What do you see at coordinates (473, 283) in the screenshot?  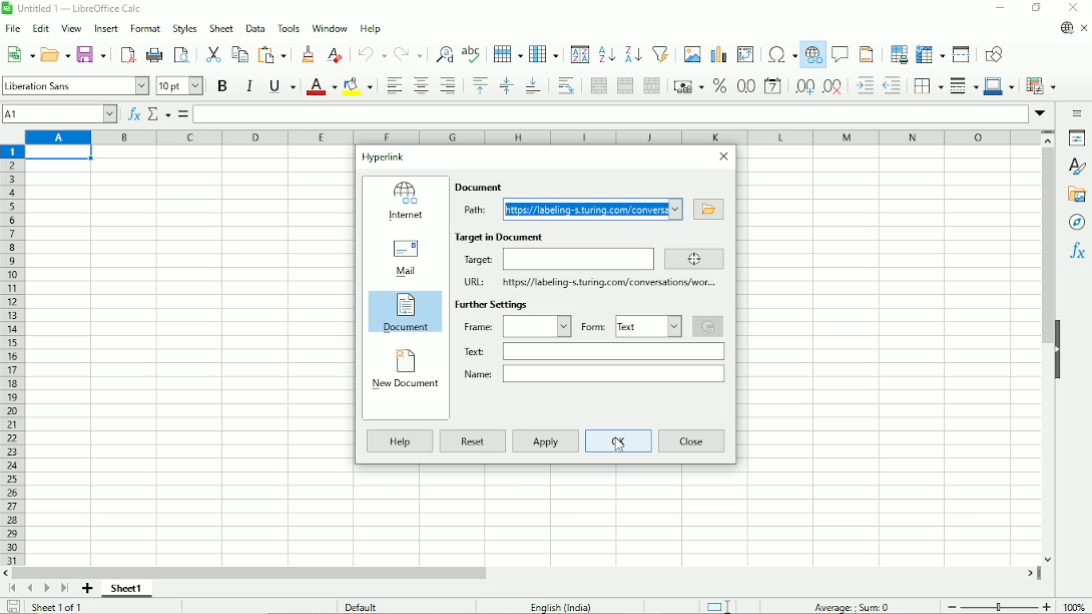 I see `URL:` at bounding box center [473, 283].